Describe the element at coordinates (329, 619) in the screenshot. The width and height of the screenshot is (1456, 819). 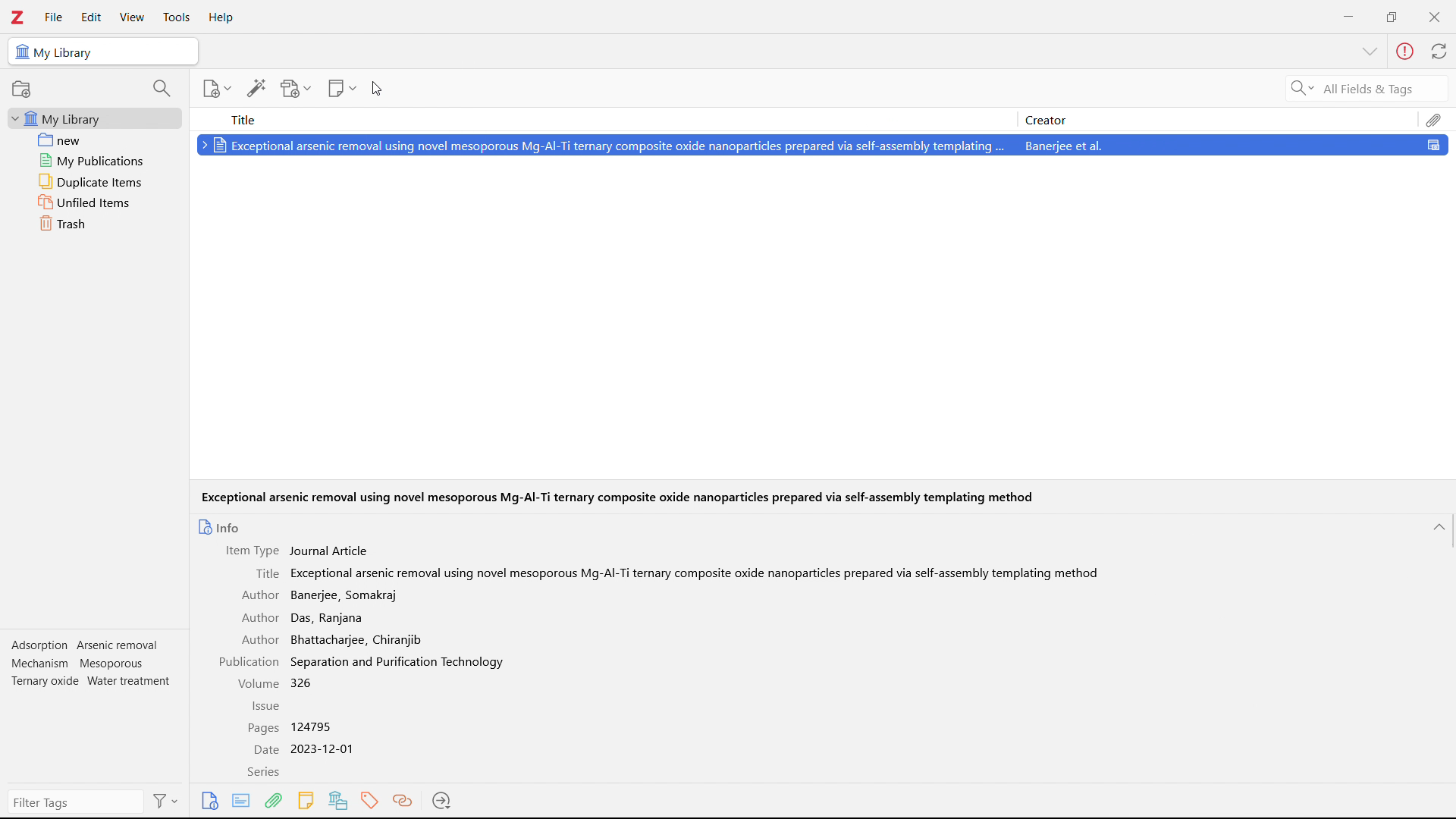
I see `Das, Ranjana` at that location.